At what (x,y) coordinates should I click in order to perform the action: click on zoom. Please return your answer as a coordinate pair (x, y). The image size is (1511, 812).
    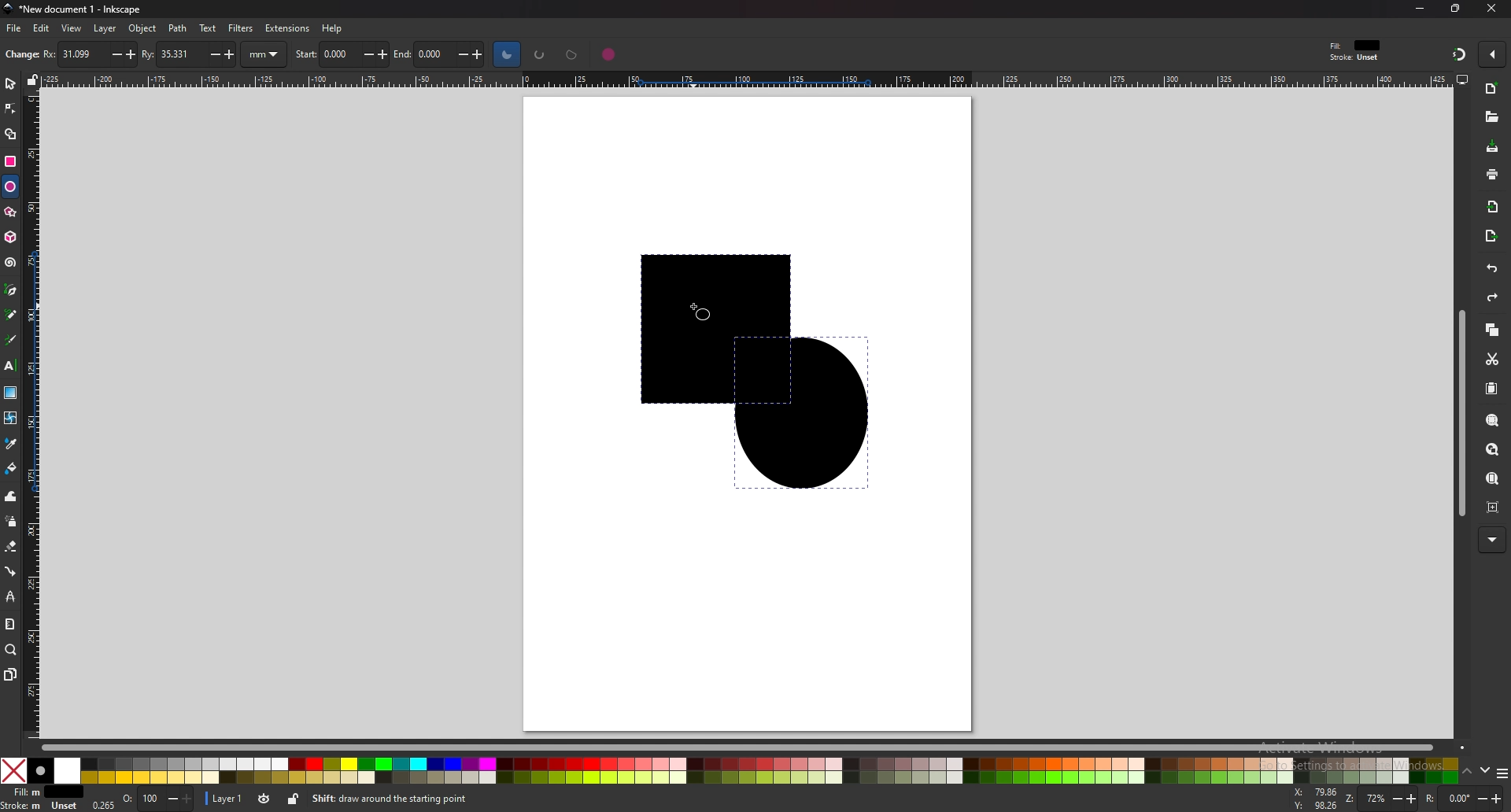
    Looking at the image, I should click on (1382, 799).